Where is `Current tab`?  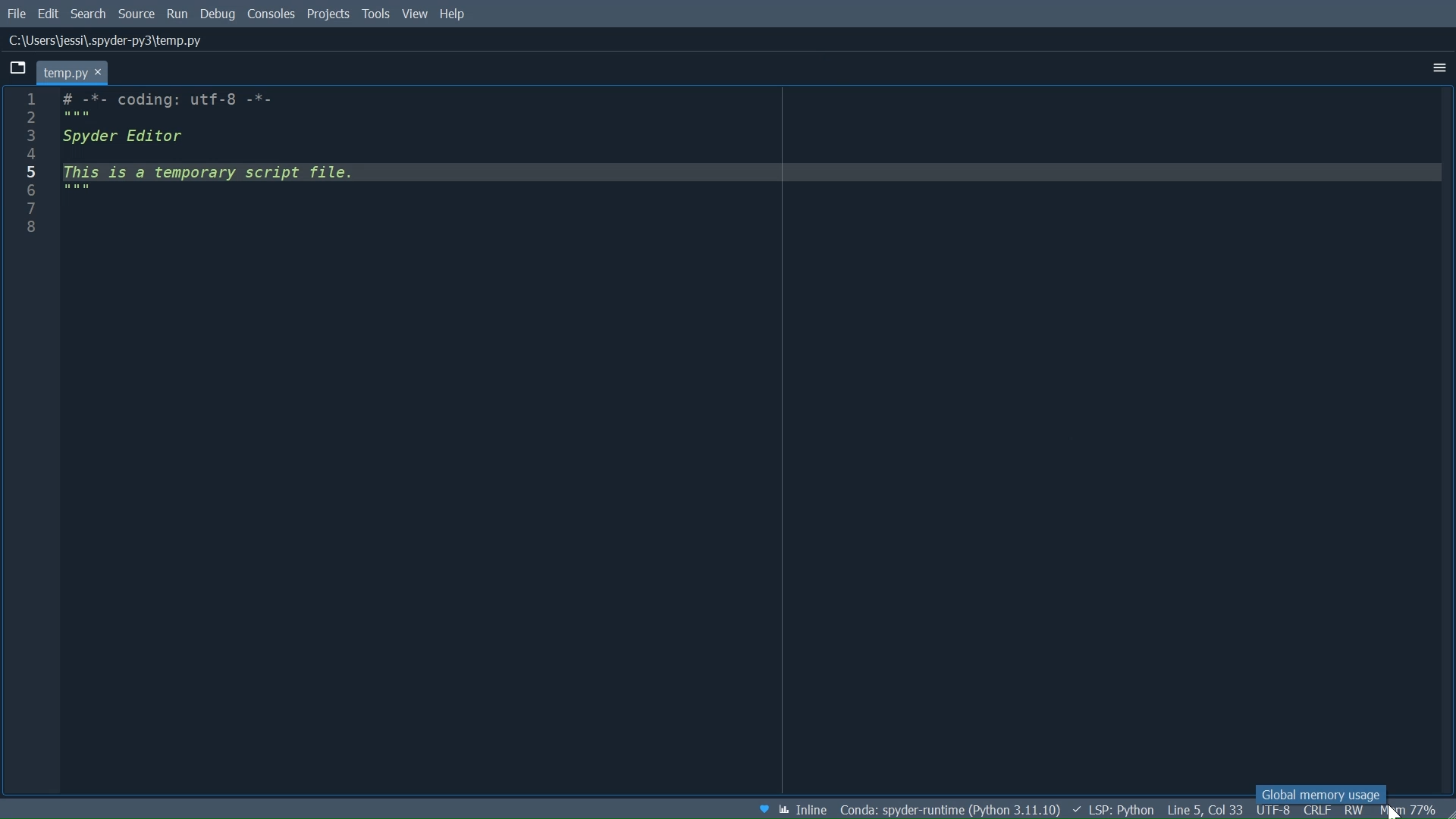
Current tab is located at coordinates (71, 71).